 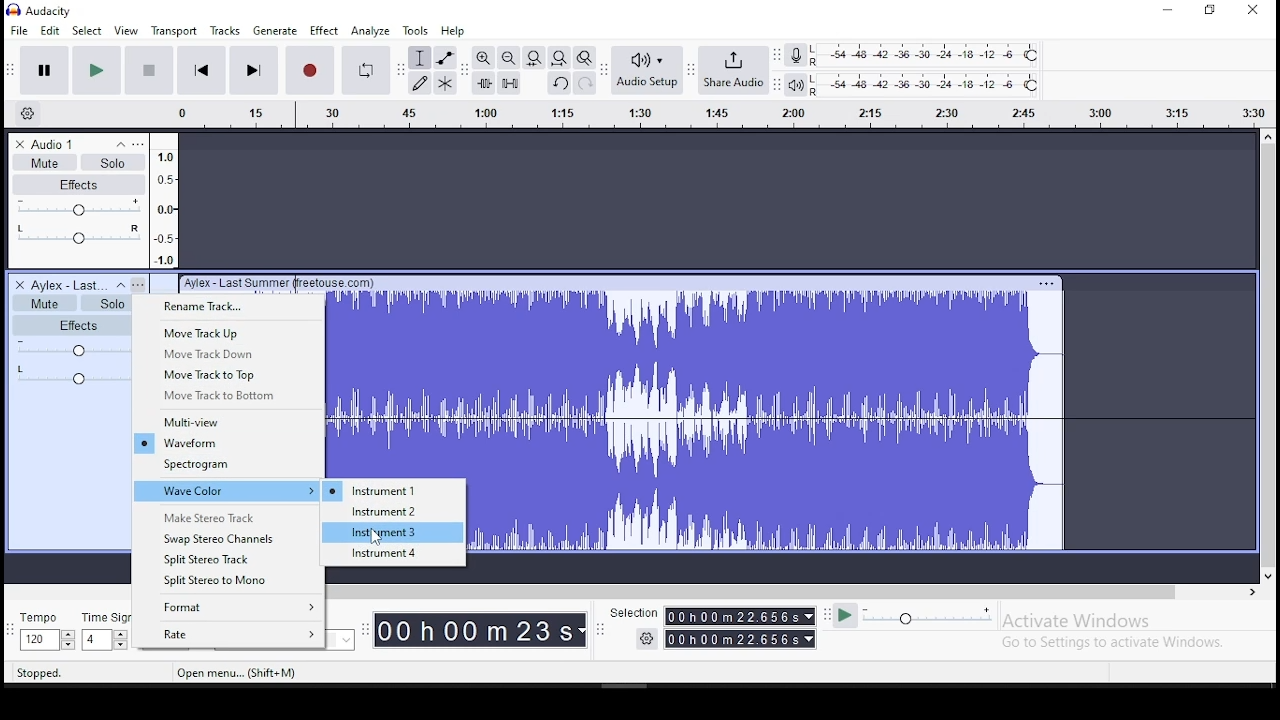 What do you see at coordinates (559, 57) in the screenshot?
I see `fit project to width` at bounding box center [559, 57].